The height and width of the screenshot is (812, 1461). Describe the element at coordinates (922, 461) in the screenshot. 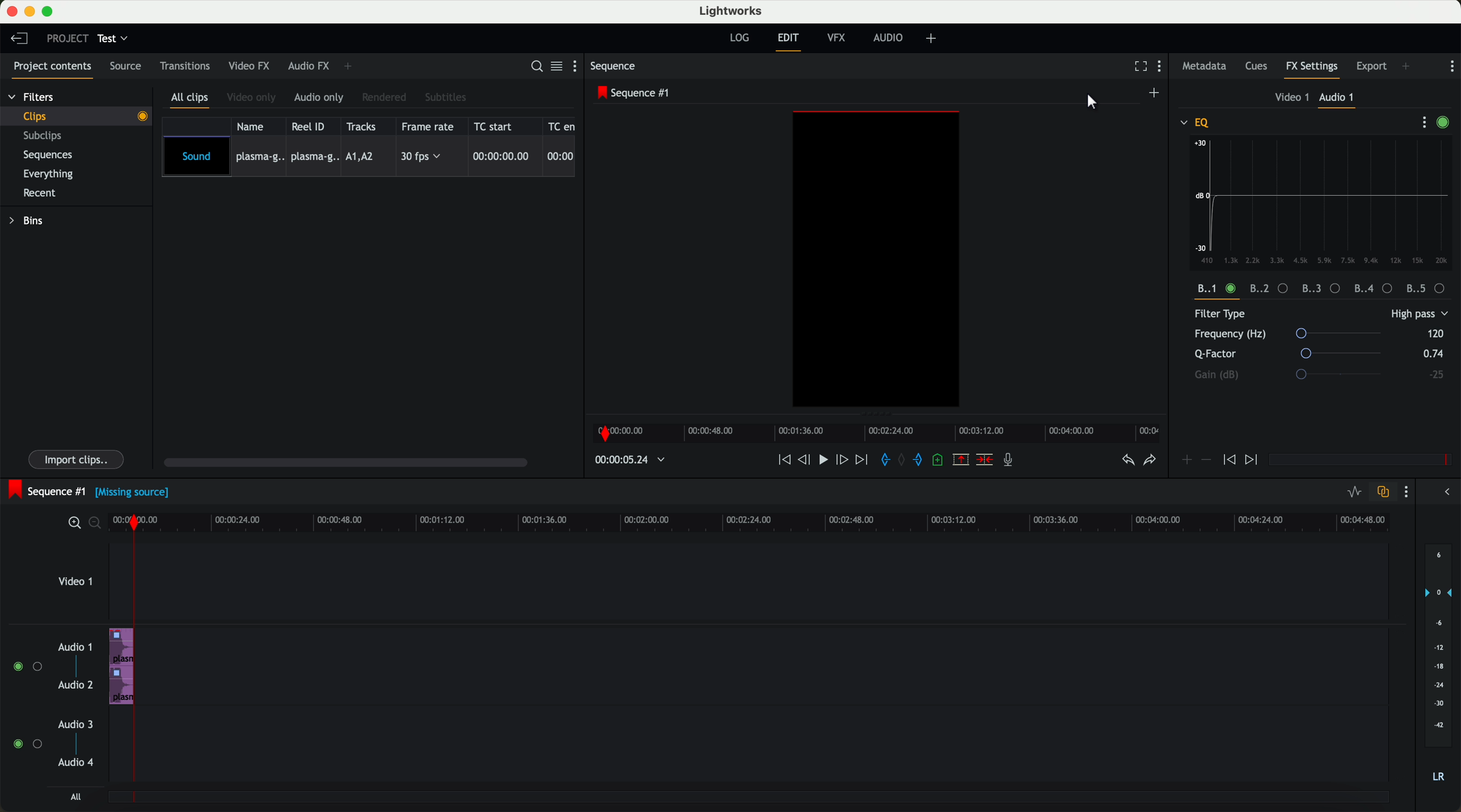

I see `add out mark` at that location.